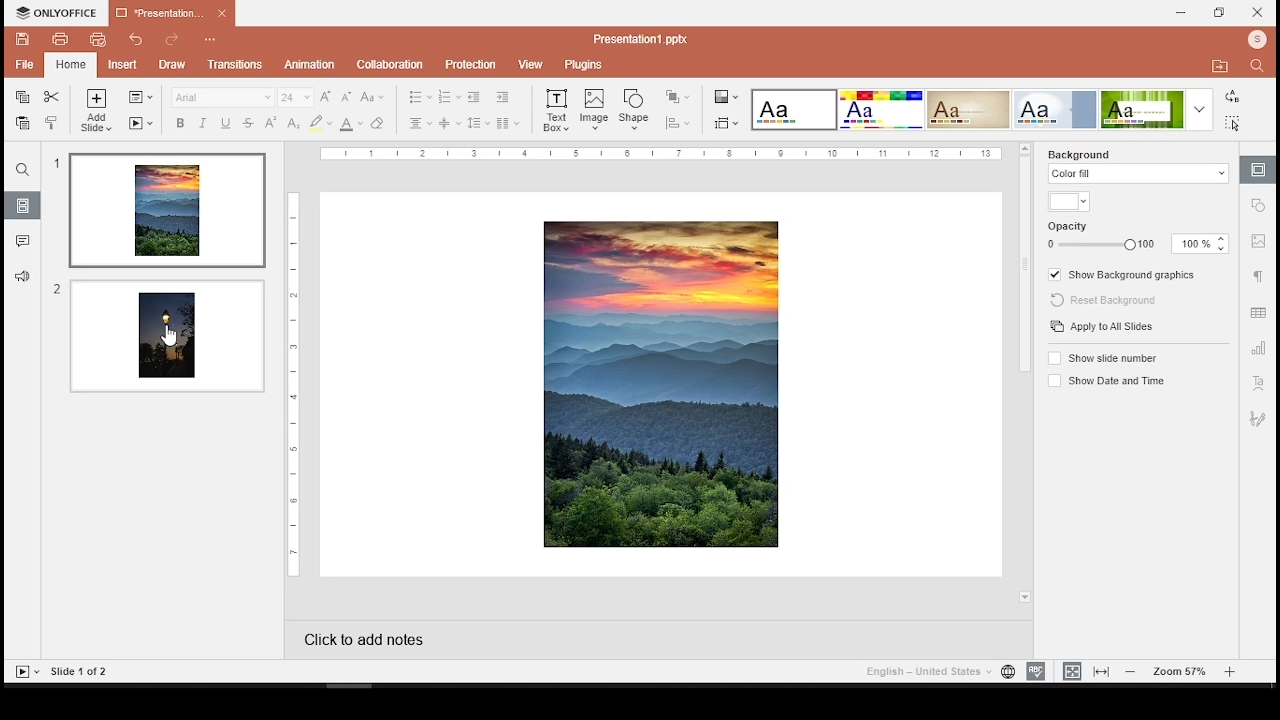  Describe the element at coordinates (725, 126) in the screenshot. I see `change slide size` at that location.